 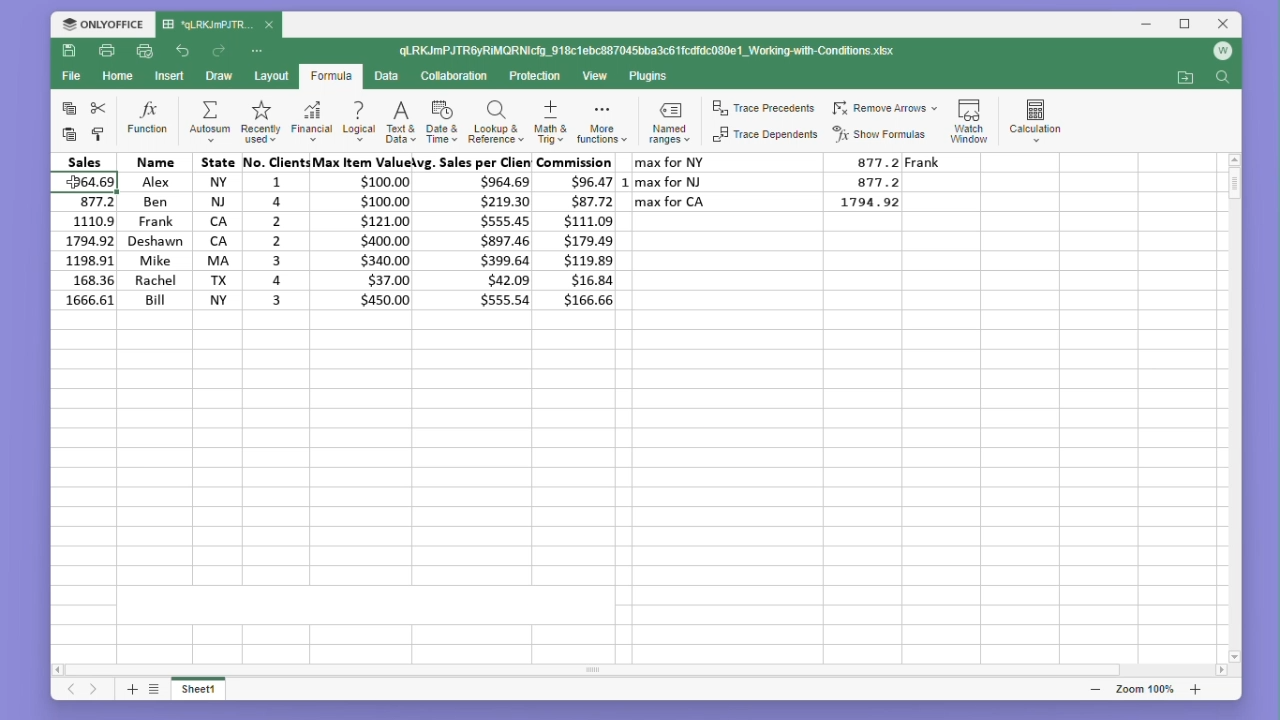 What do you see at coordinates (1181, 25) in the screenshot?
I see `Maximize` at bounding box center [1181, 25].